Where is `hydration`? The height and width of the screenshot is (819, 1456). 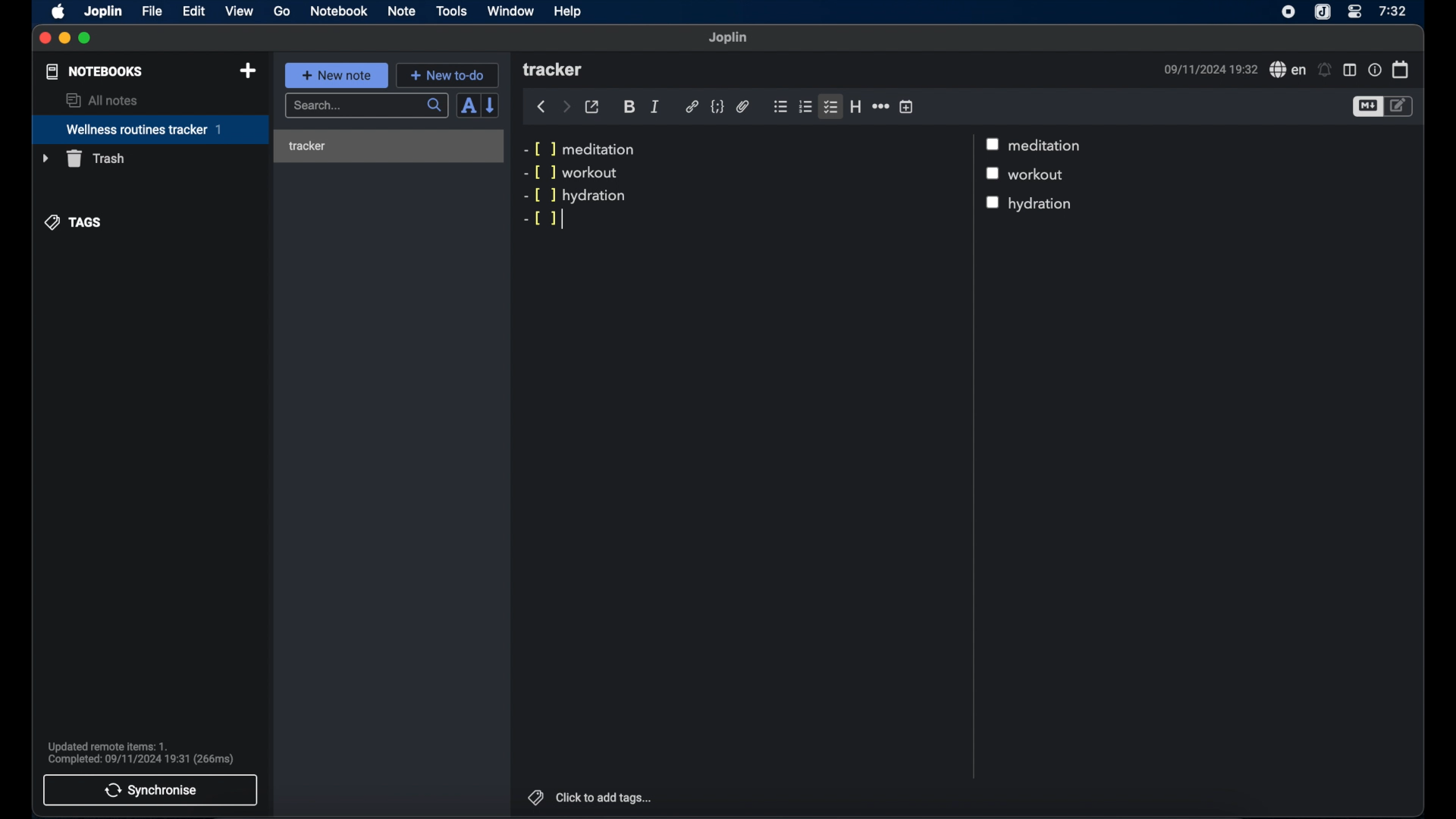 hydration is located at coordinates (1043, 205).